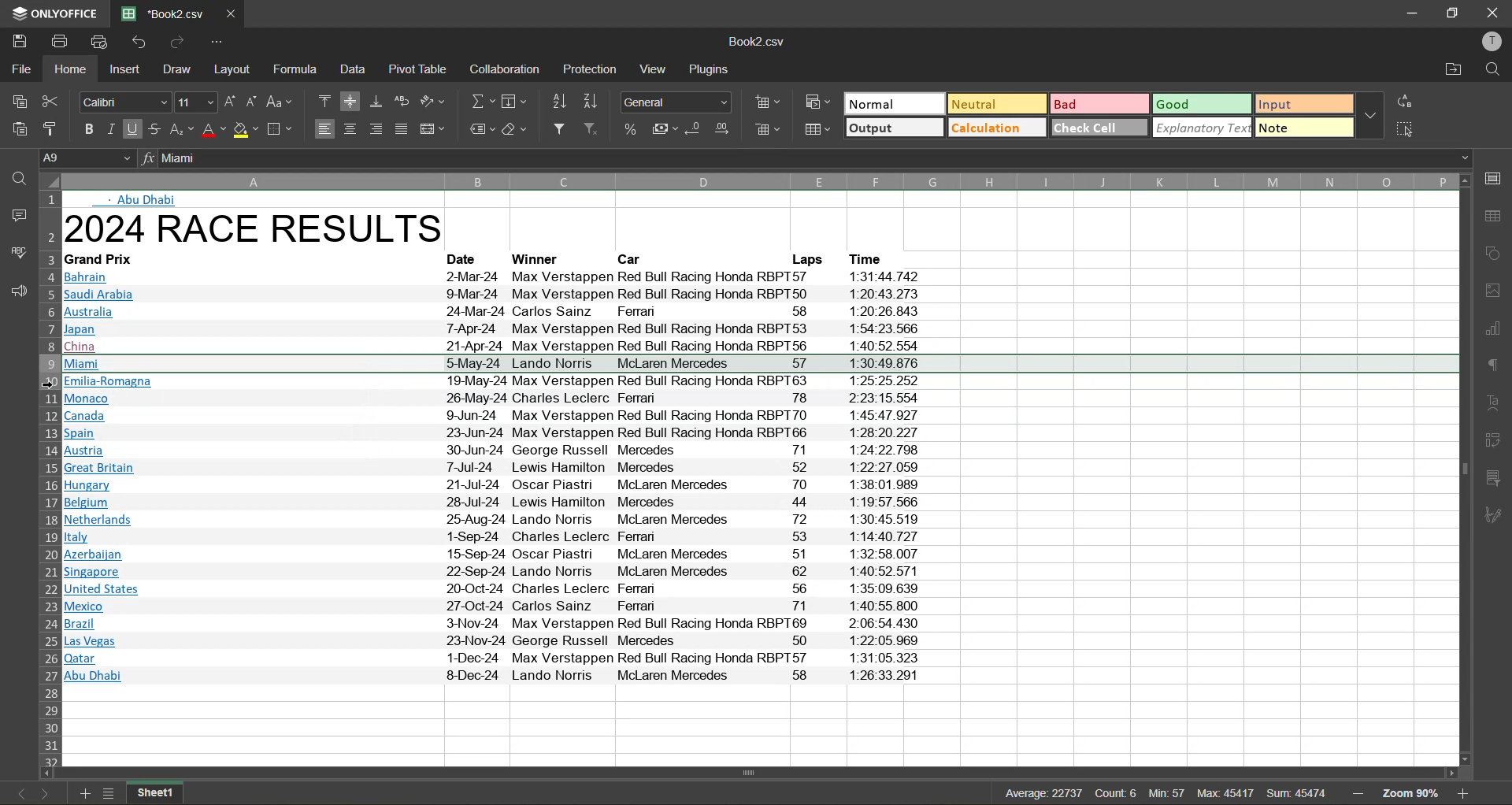 This screenshot has width=1512, height=805. I want to click on image, so click(1497, 291).